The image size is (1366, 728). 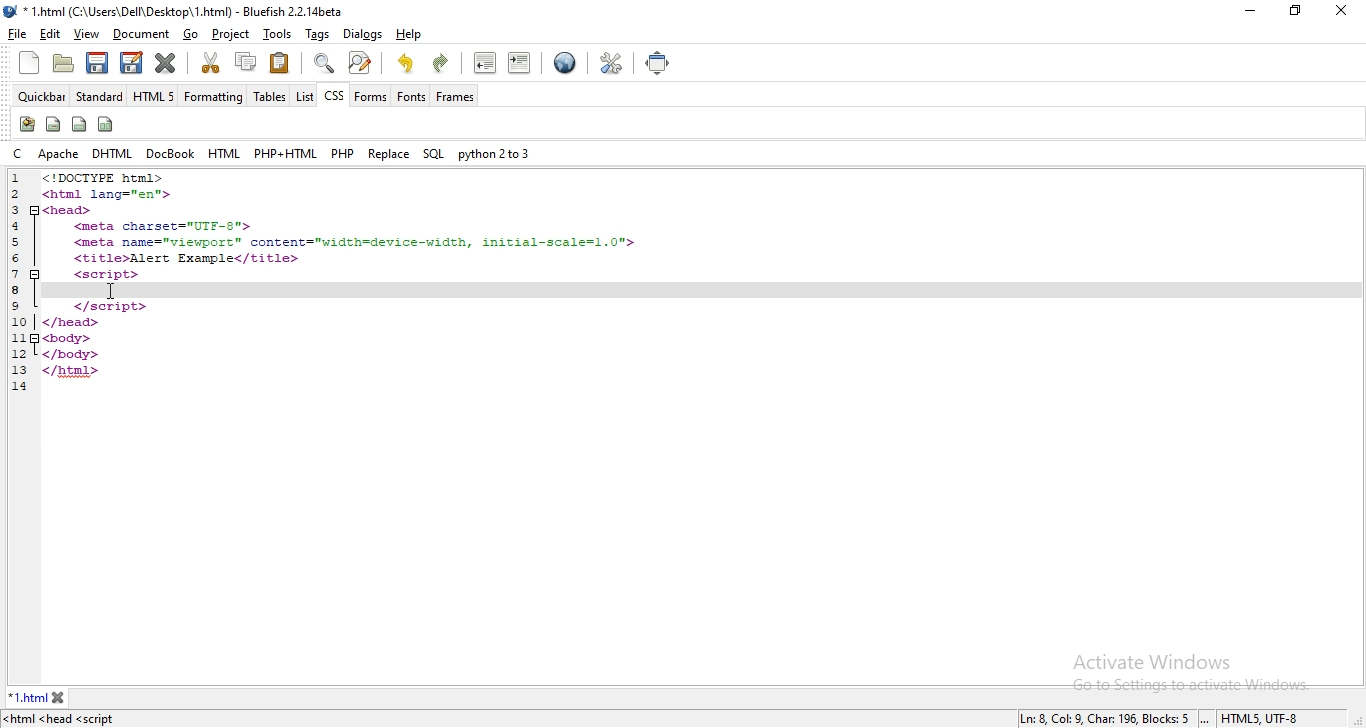 I want to click on </body>, so click(x=69, y=353).